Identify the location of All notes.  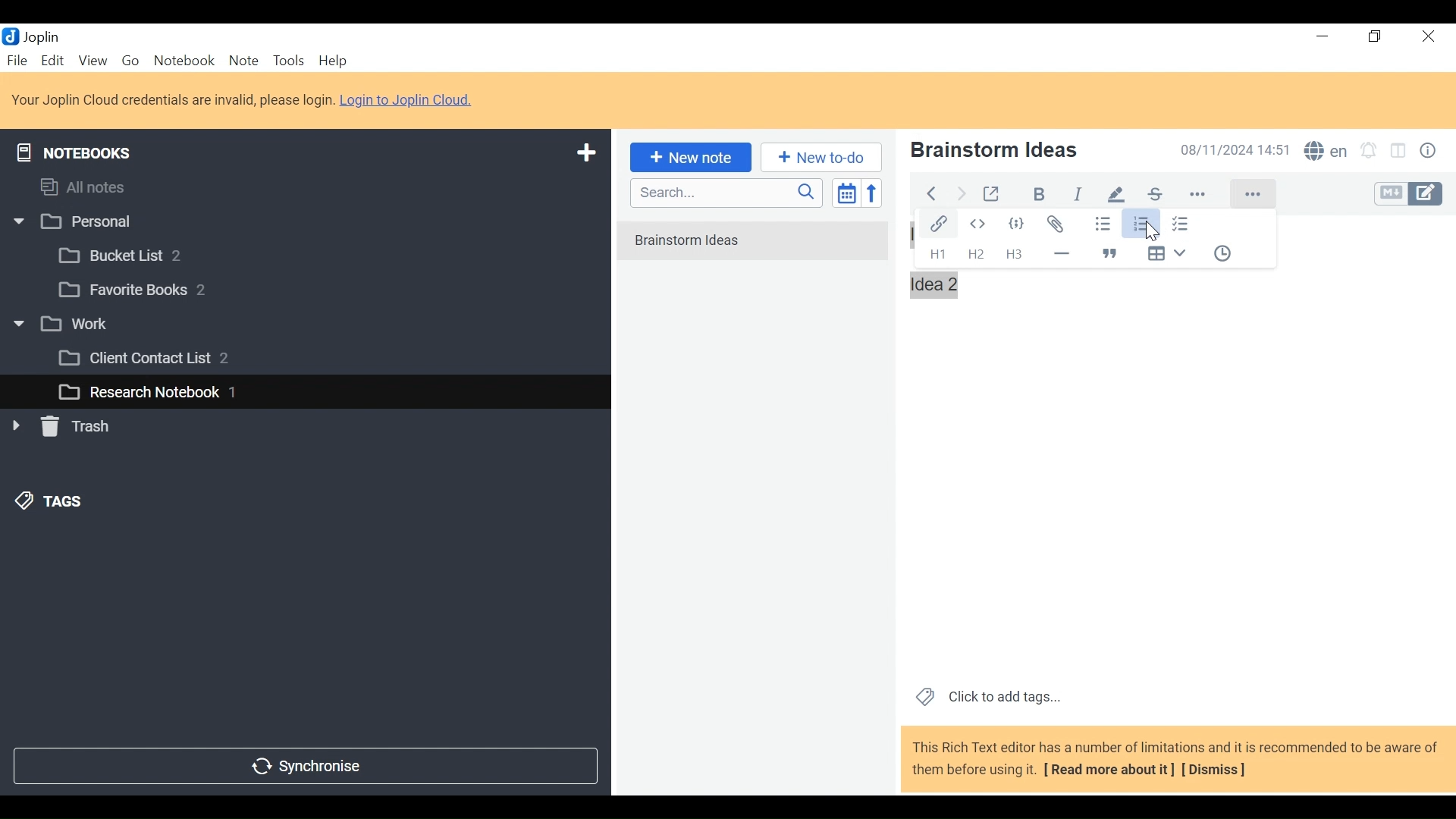
(97, 184).